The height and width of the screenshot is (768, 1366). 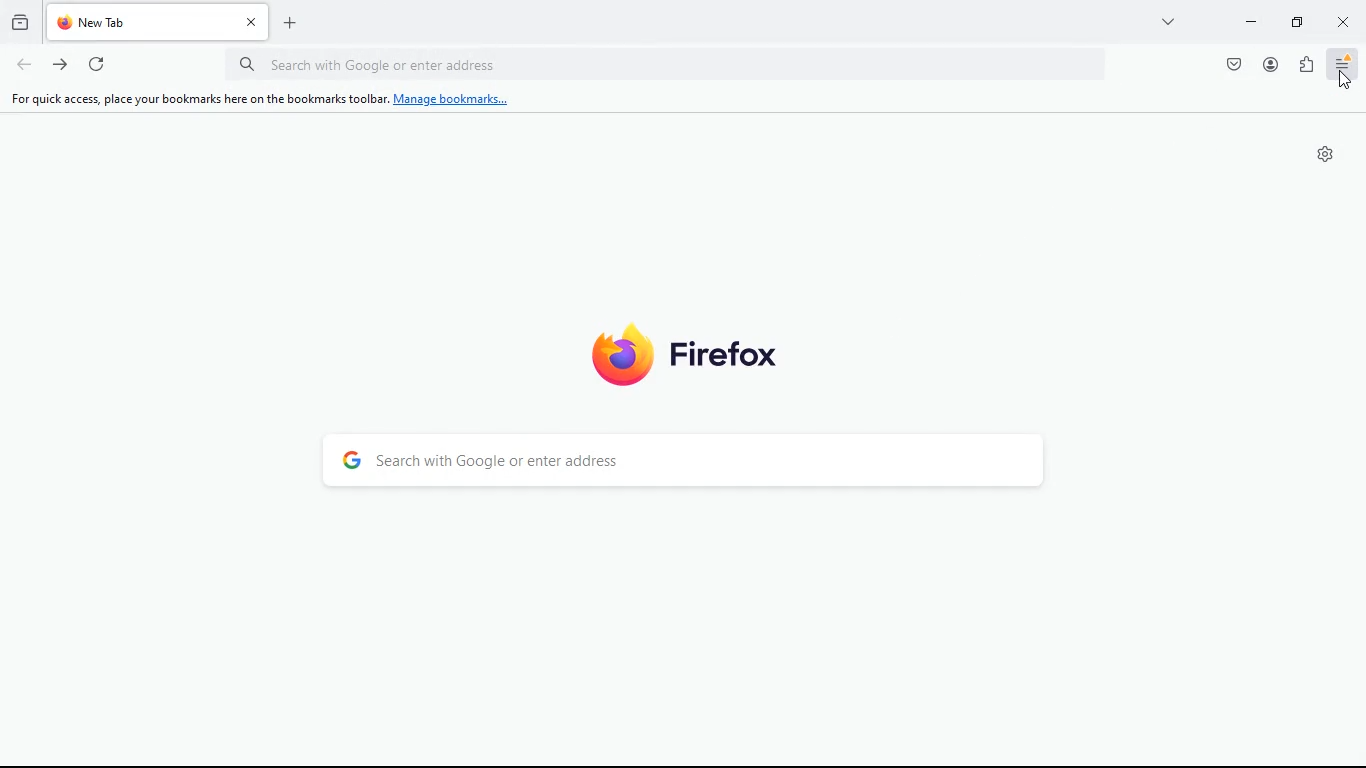 What do you see at coordinates (1165, 21) in the screenshot?
I see `more` at bounding box center [1165, 21].